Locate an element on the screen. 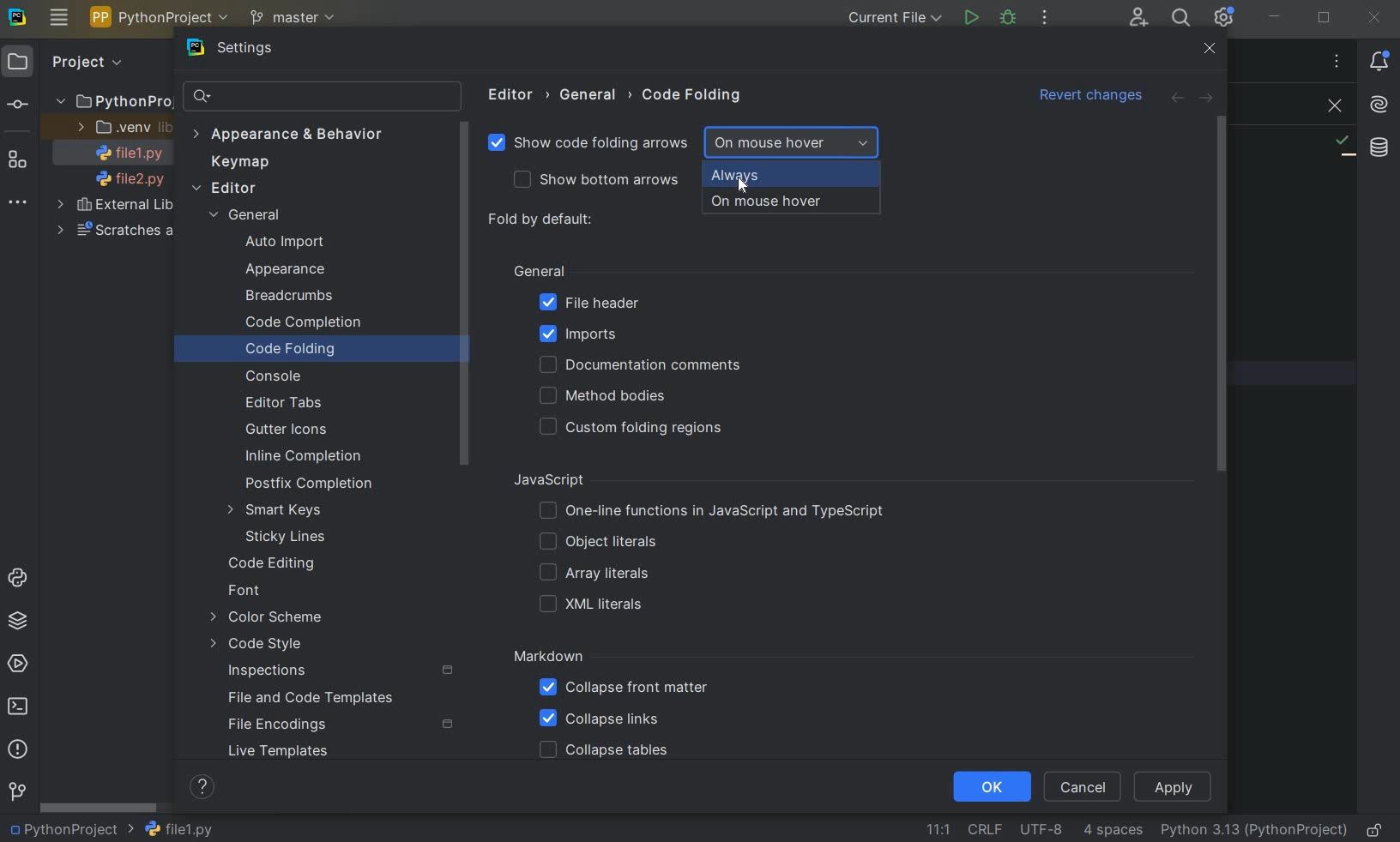  MASTER is located at coordinates (295, 19).